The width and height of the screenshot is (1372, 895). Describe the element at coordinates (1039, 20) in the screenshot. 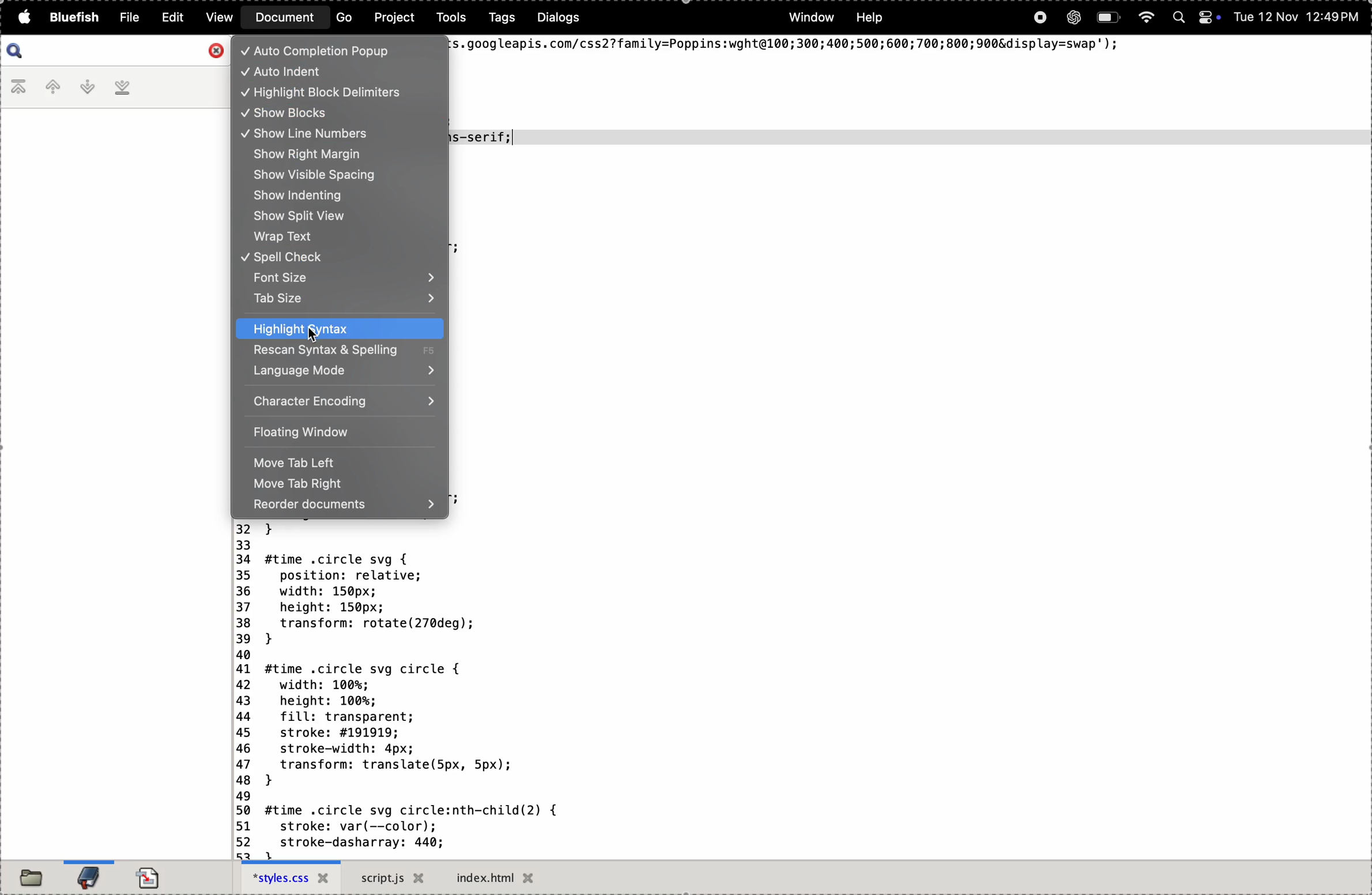

I see `record` at that location.